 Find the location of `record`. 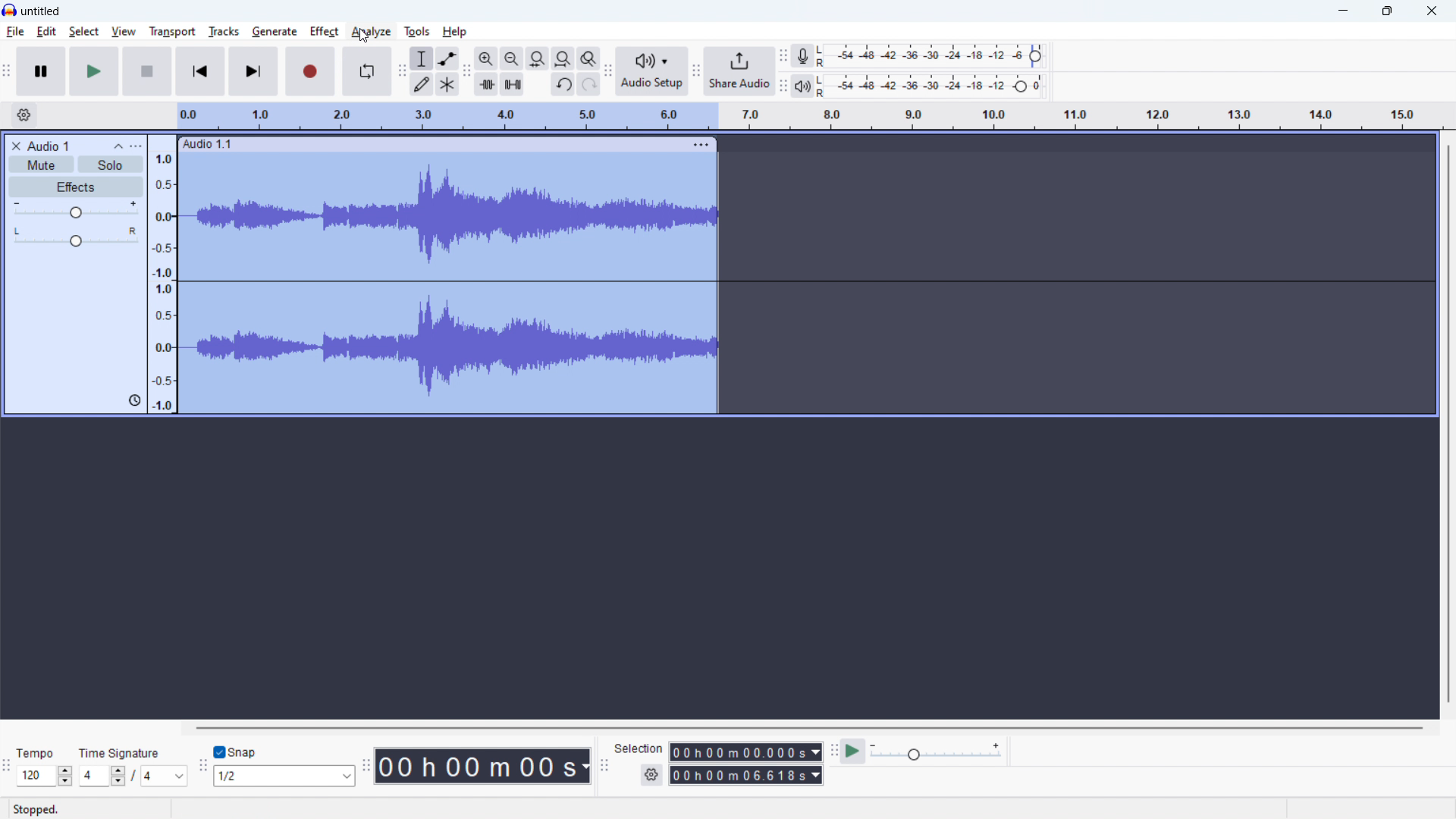

record is located at coordinates (309, 71).